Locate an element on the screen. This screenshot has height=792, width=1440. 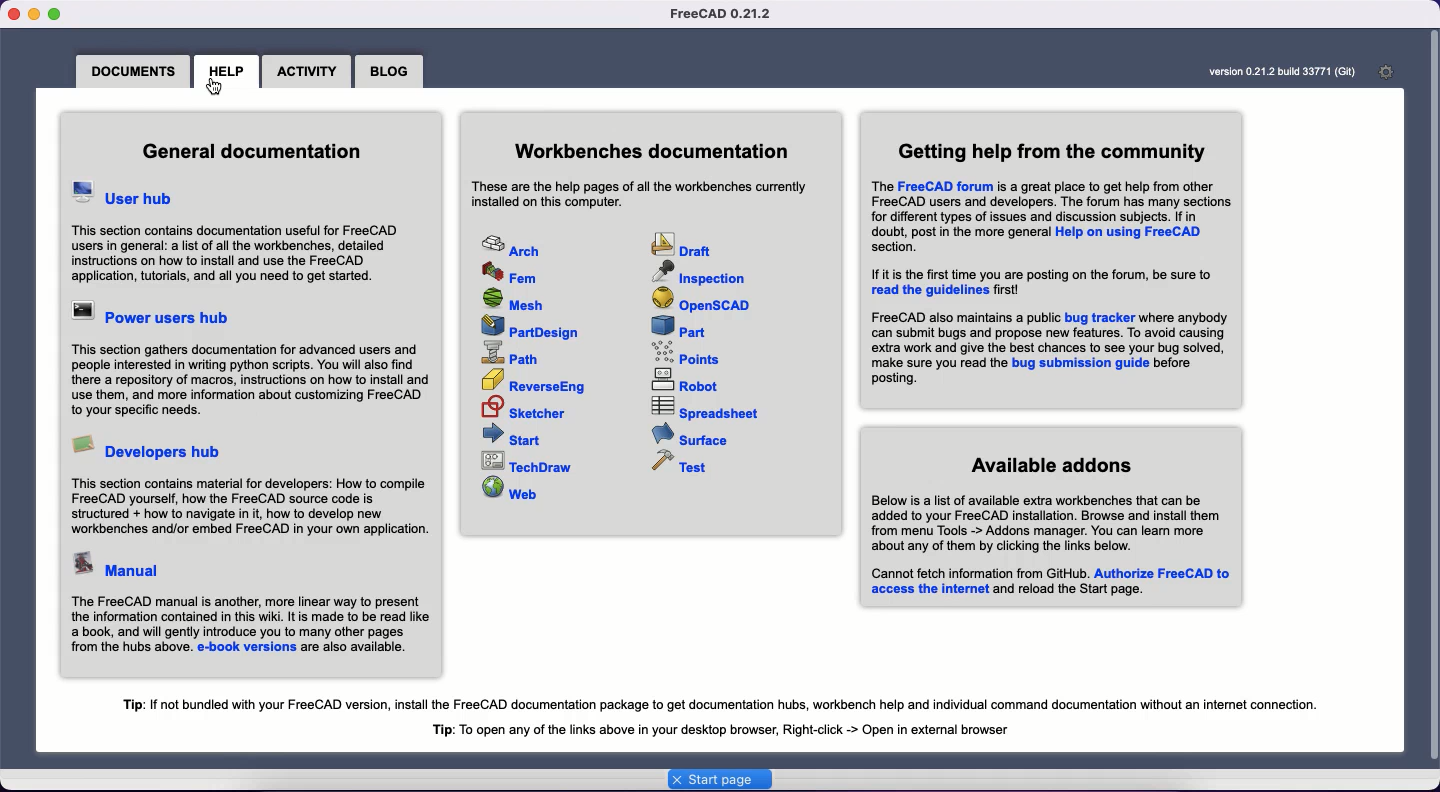
Version is located at coordinates (1285, 72).